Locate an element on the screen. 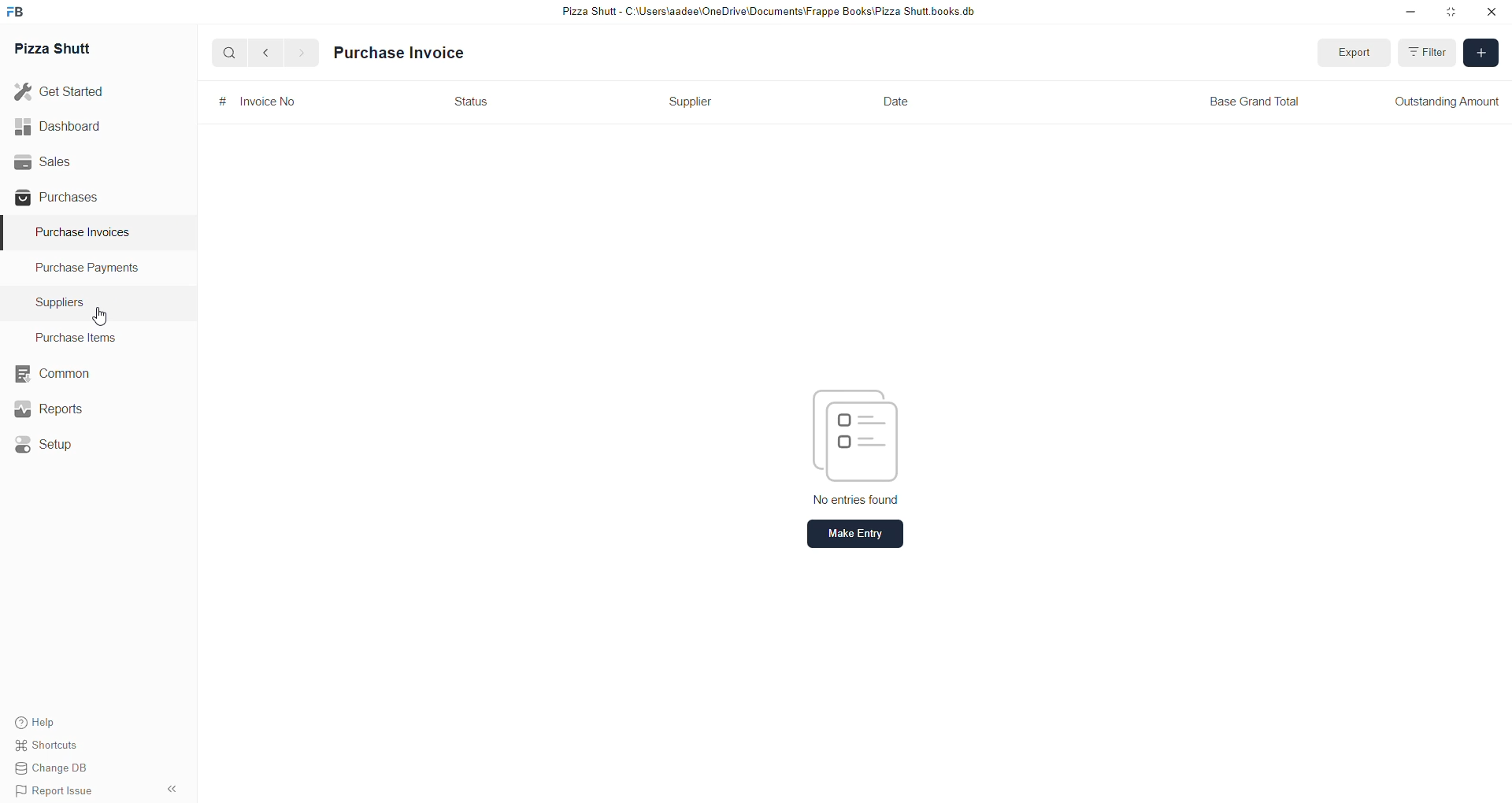 The width and height of the screenshot is (1512, 803). Invoice No is located at coordinates (255, 101).